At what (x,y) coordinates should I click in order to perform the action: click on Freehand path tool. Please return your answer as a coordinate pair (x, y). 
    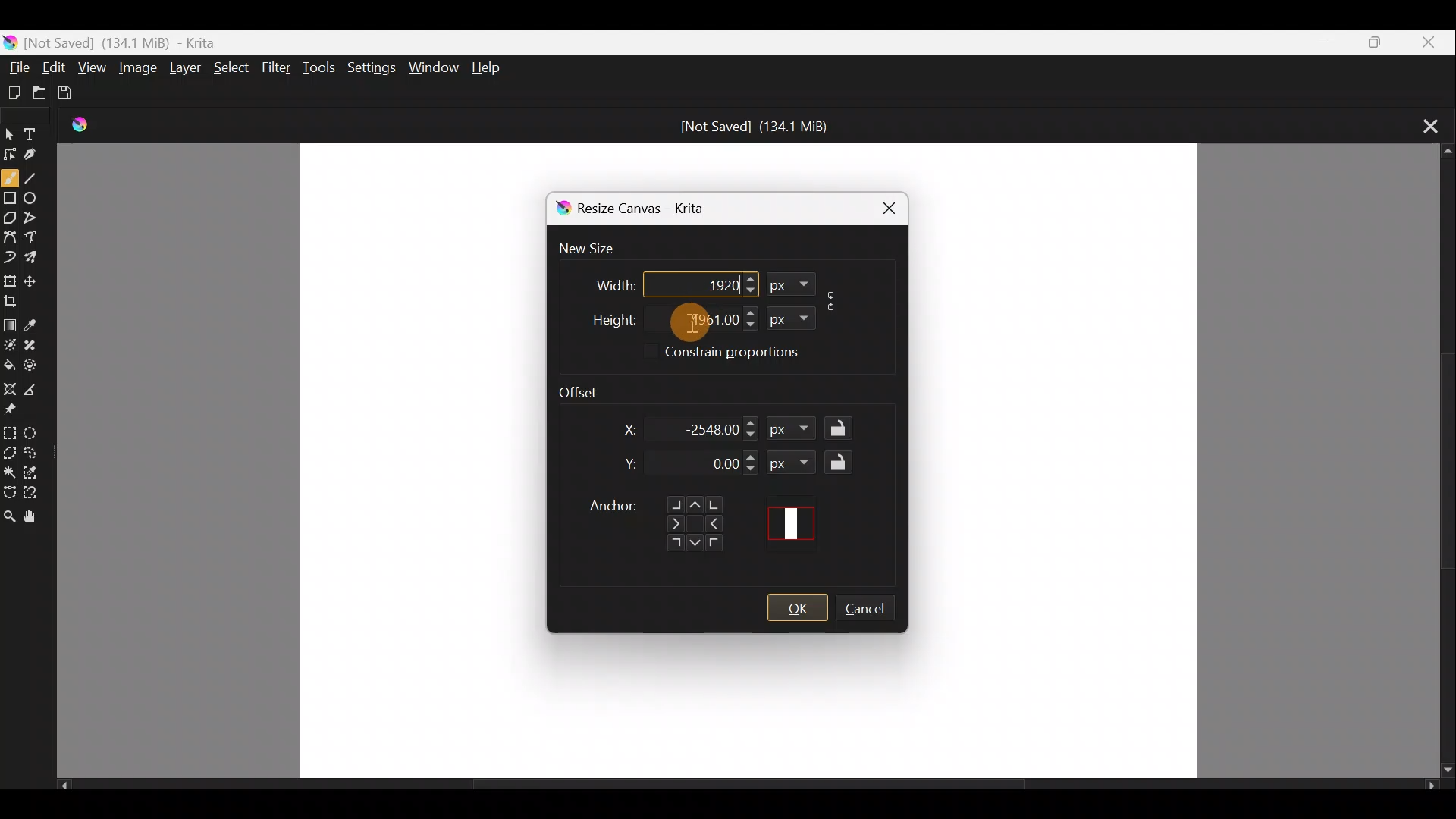
    Looking at the image, I should click on (35, 236).